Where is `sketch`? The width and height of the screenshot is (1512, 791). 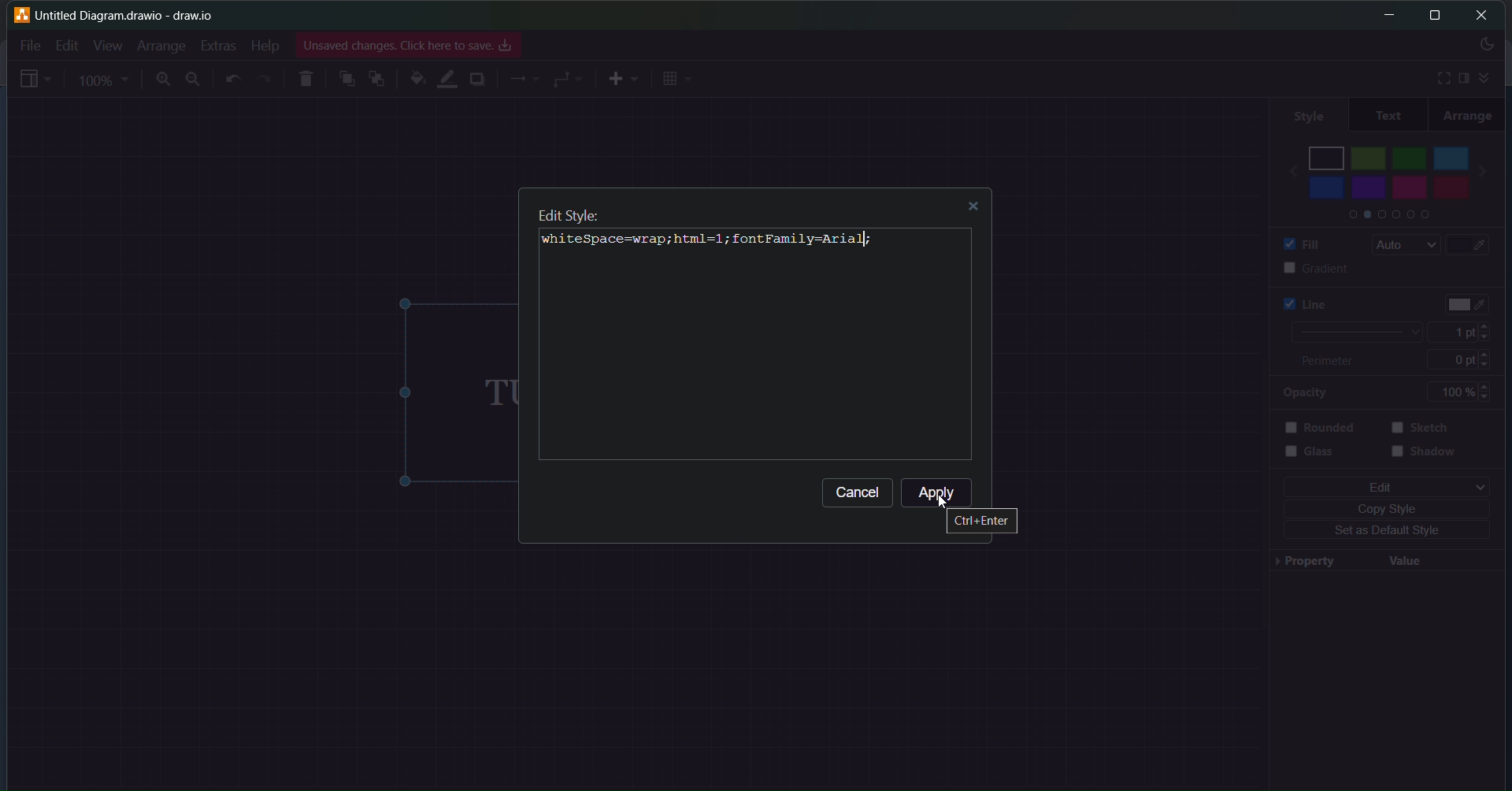 sketch is located at coordinates (1425, 429).